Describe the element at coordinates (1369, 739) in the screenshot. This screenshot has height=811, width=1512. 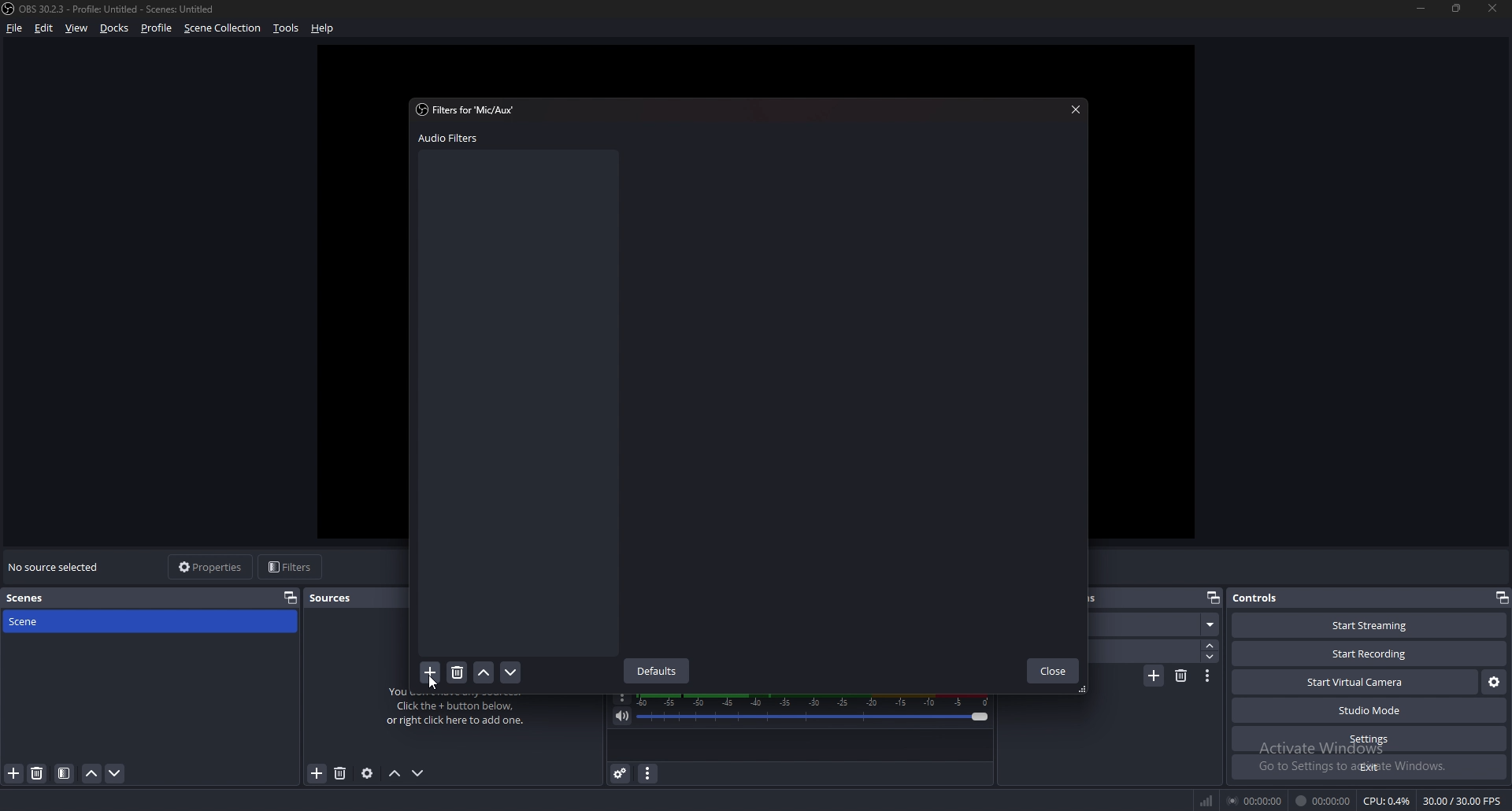
I see `settings` at that location.